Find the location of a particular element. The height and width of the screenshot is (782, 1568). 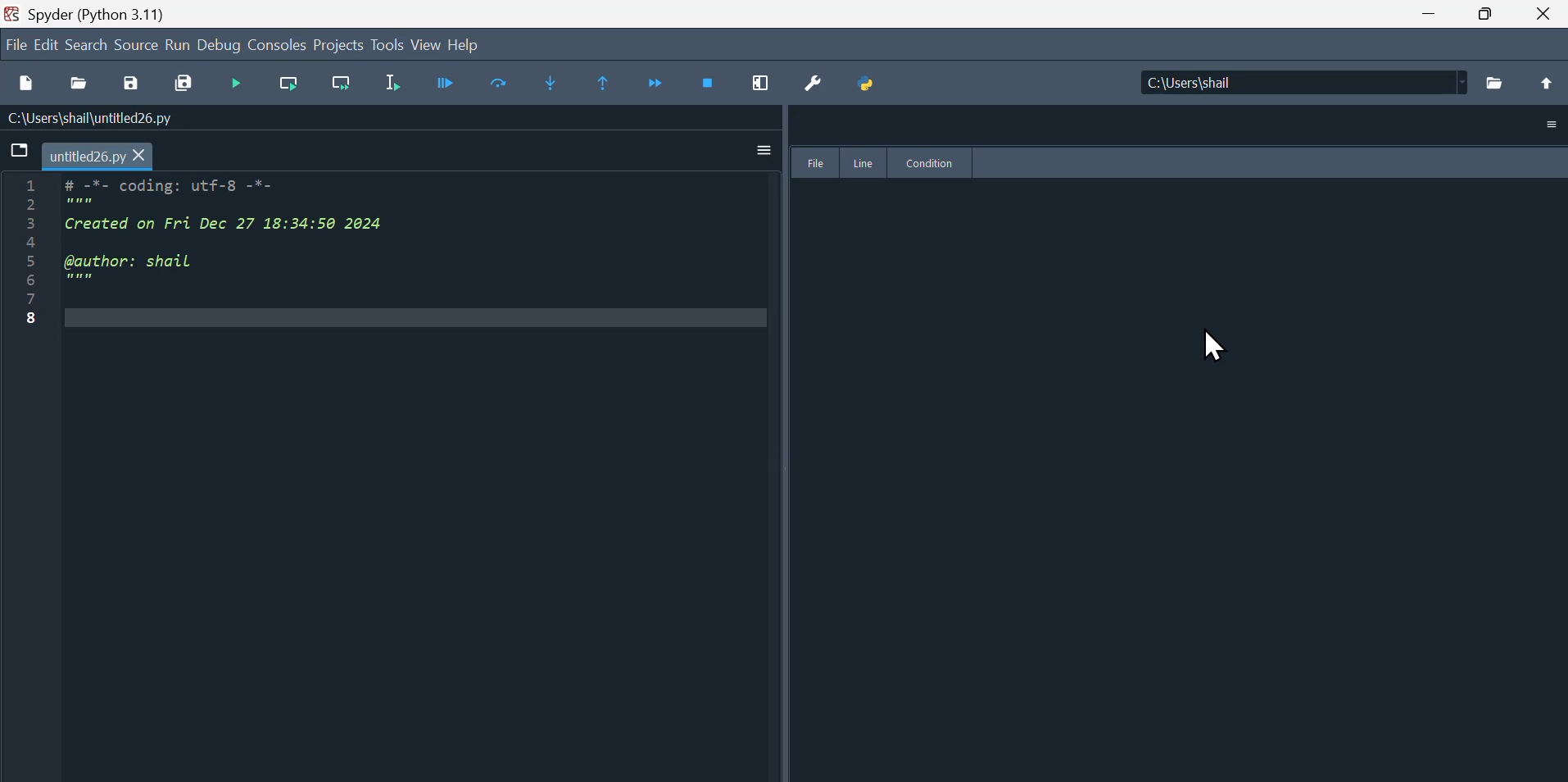

line is located at coordinates (864, 163).